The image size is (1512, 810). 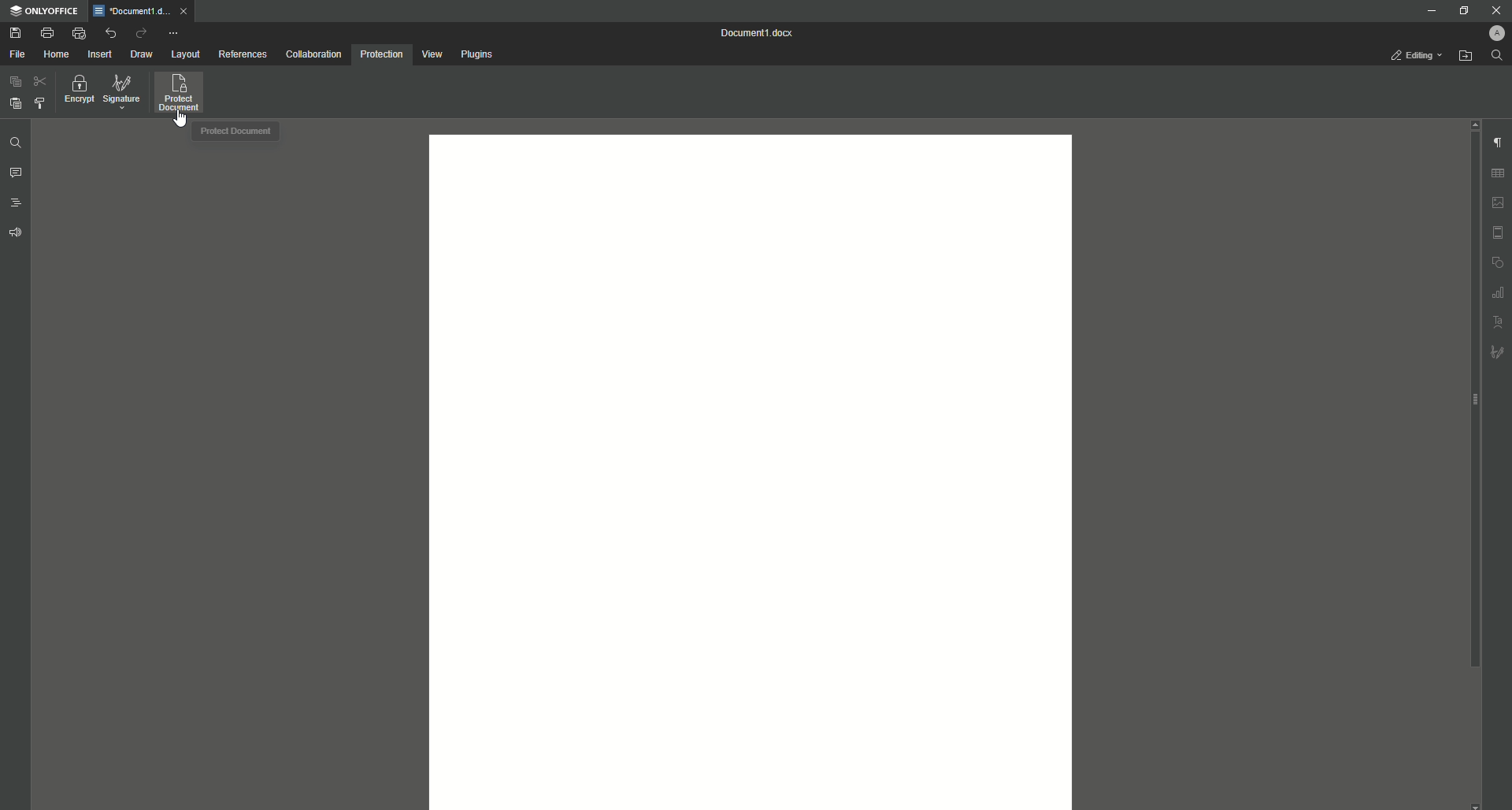 I want to click on Feedback, so click(x=15, y=234).